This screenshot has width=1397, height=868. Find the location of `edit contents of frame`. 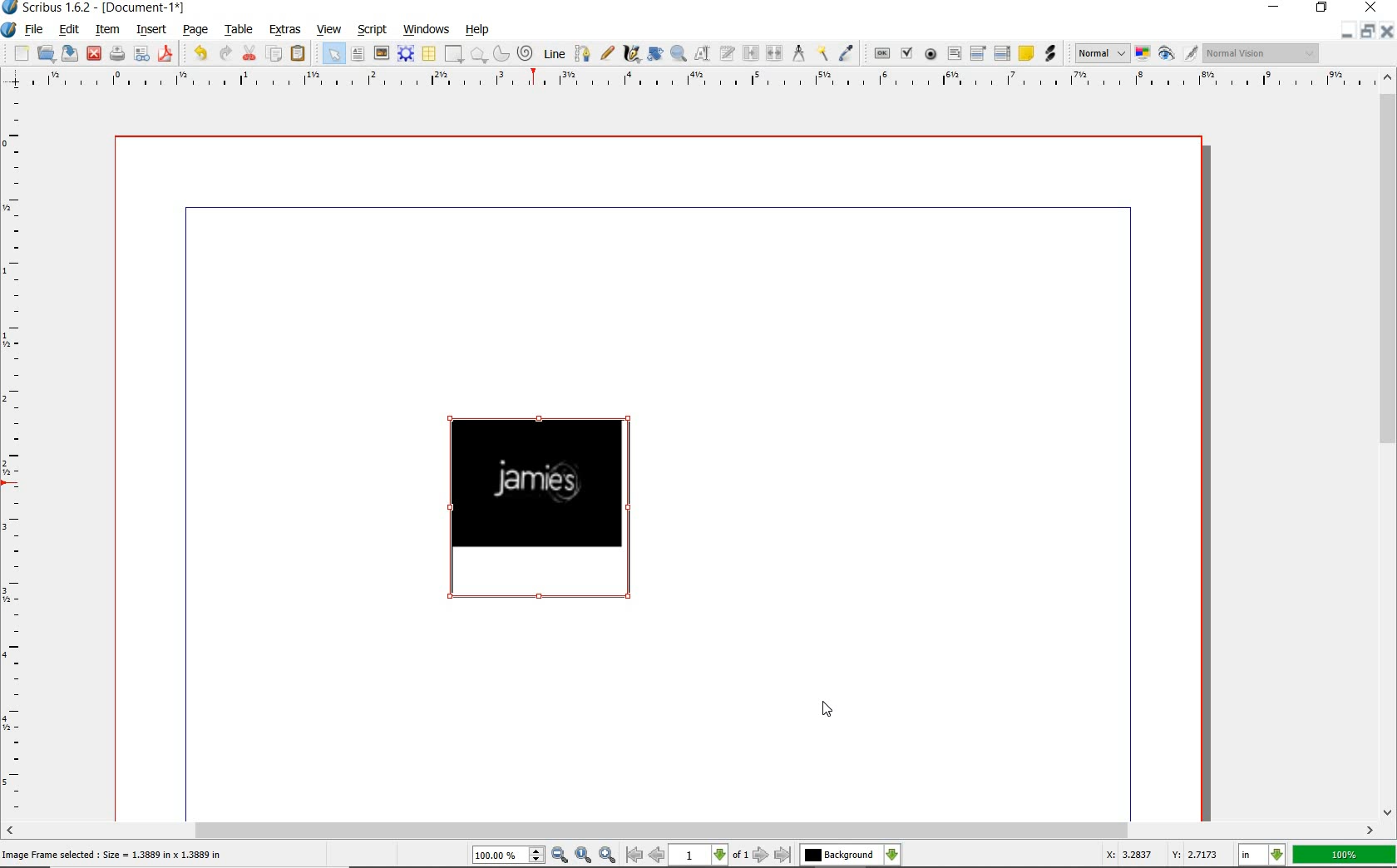

edit contents of frame is located at coordinates (702, 53).